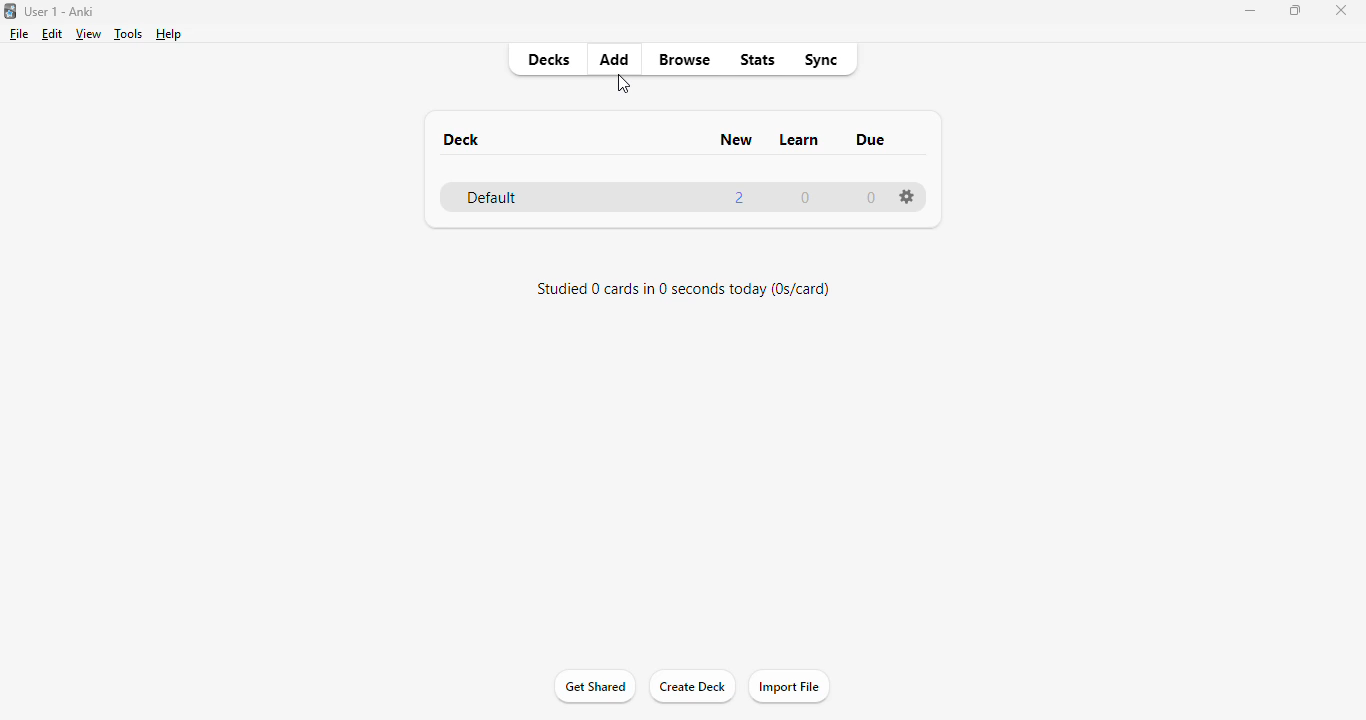  I want to click on import file, so click(787, 687).